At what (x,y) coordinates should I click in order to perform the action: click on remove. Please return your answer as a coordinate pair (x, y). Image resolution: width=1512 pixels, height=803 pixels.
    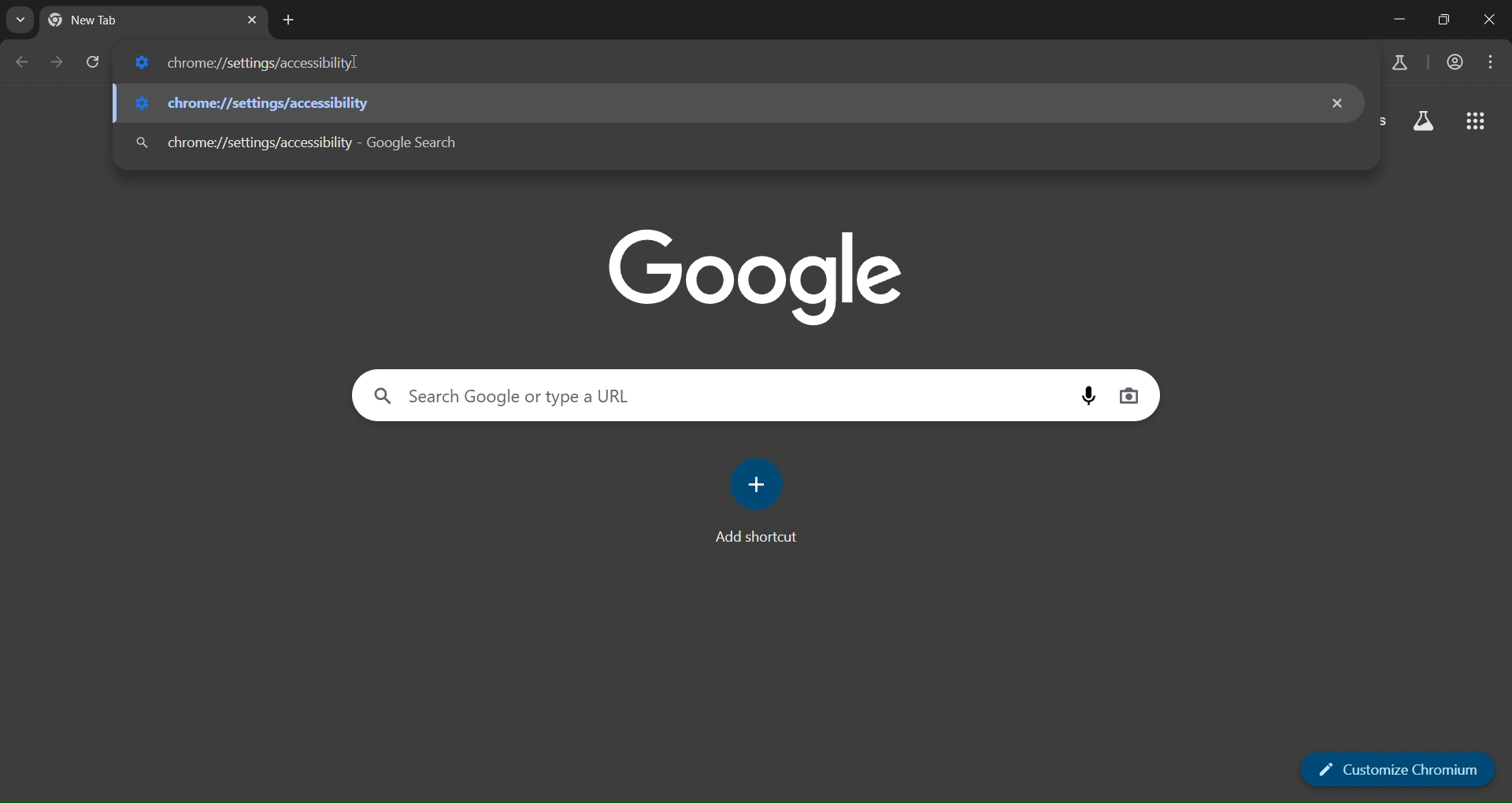
    Looking at the image, I should click on (1338, 101).